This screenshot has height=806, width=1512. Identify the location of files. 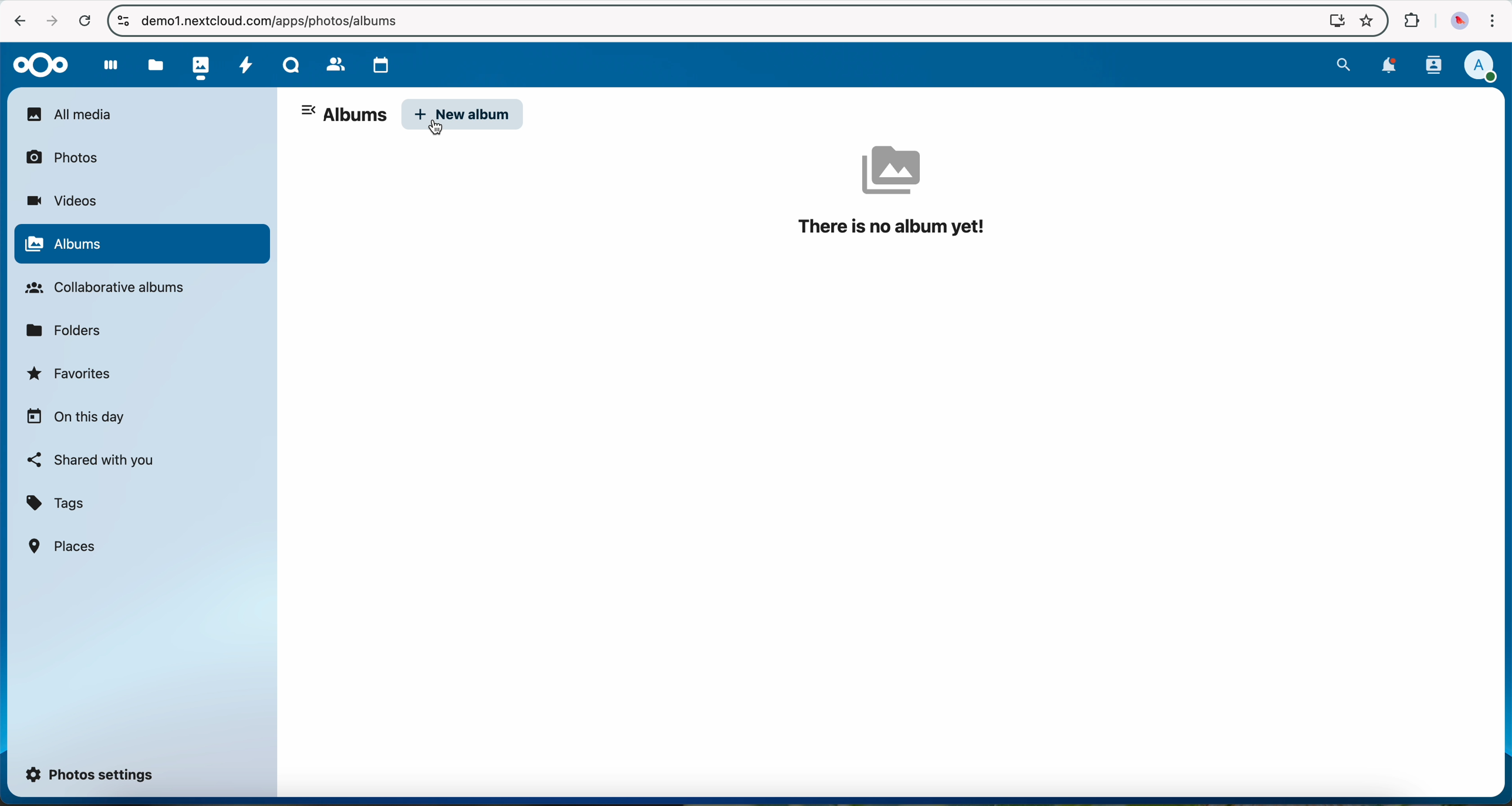
(154, 65).